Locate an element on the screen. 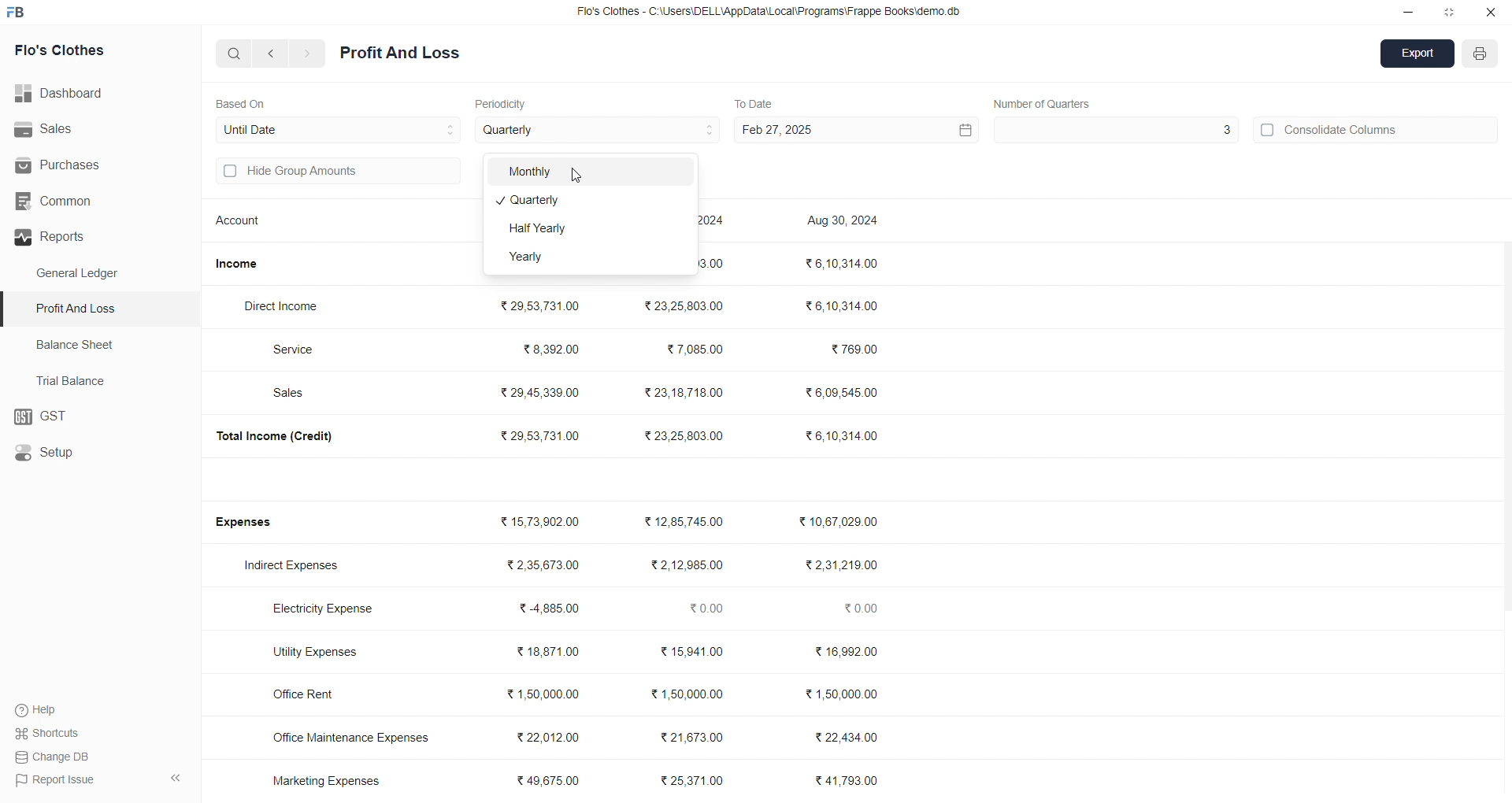  GST is located at coordinates (98, 417).